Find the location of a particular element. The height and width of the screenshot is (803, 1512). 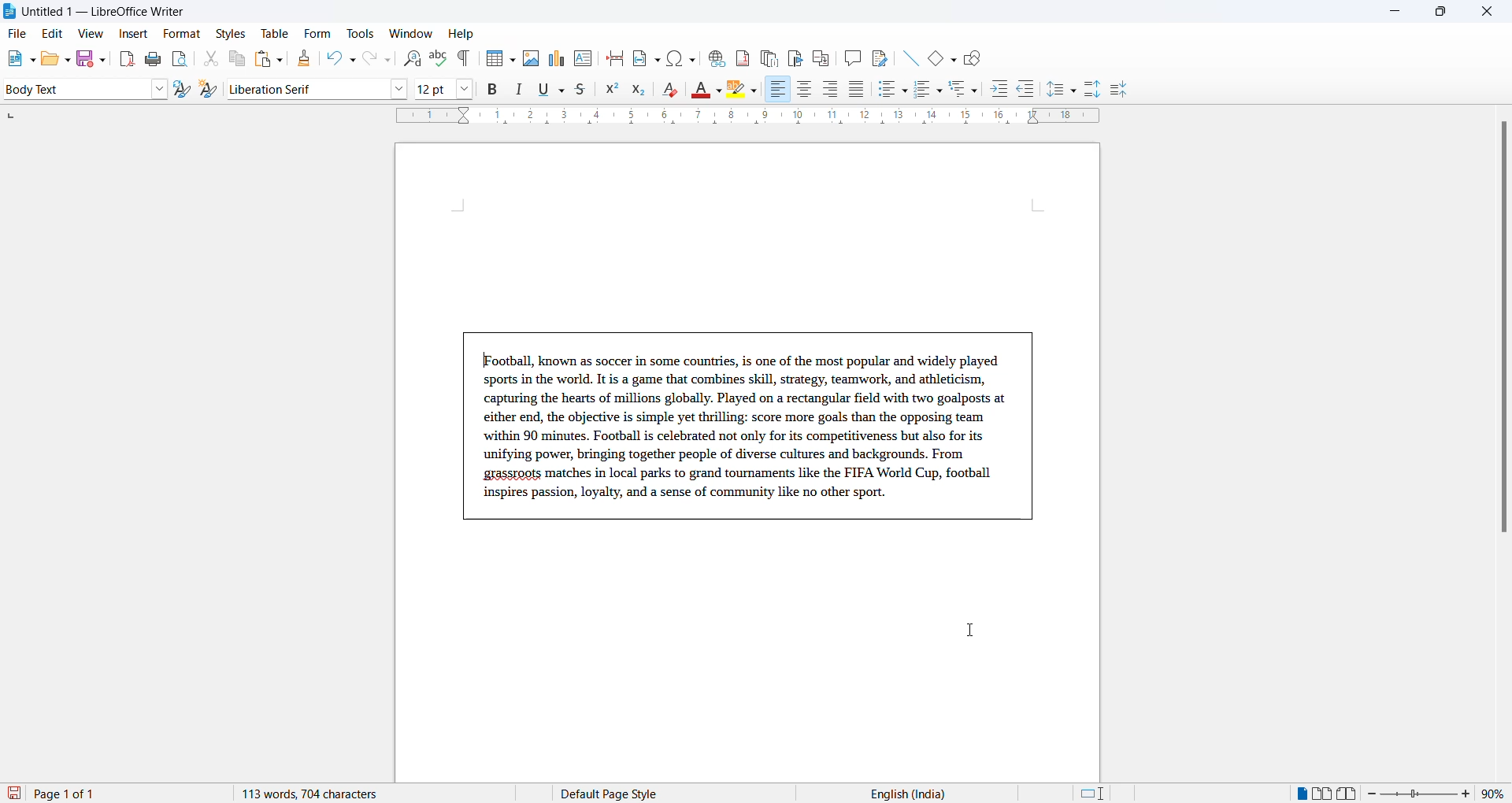

update selected style is located at coordinates (185, 90).